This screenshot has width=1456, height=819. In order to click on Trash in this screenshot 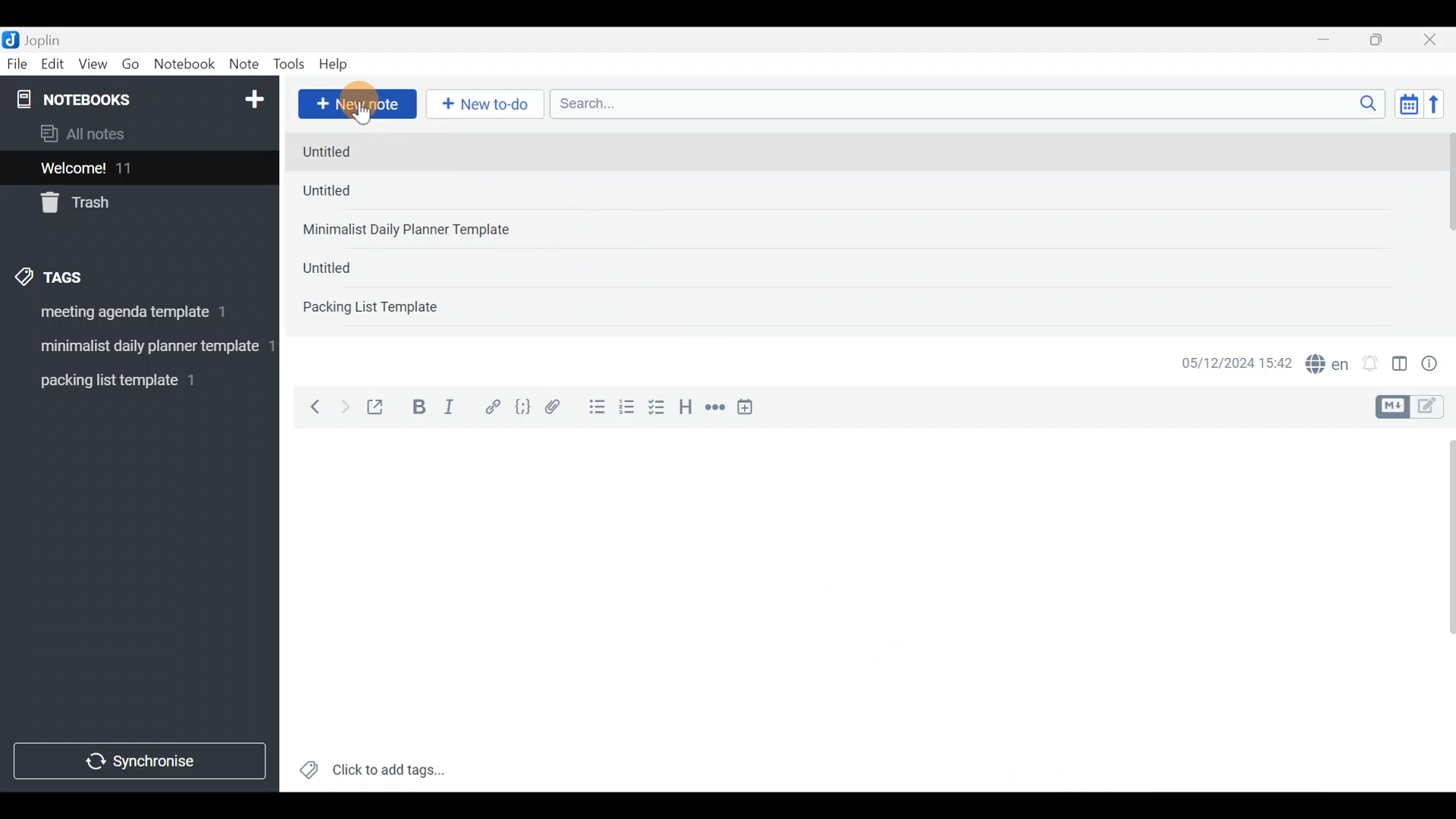, I will do `click(130, 204)`.